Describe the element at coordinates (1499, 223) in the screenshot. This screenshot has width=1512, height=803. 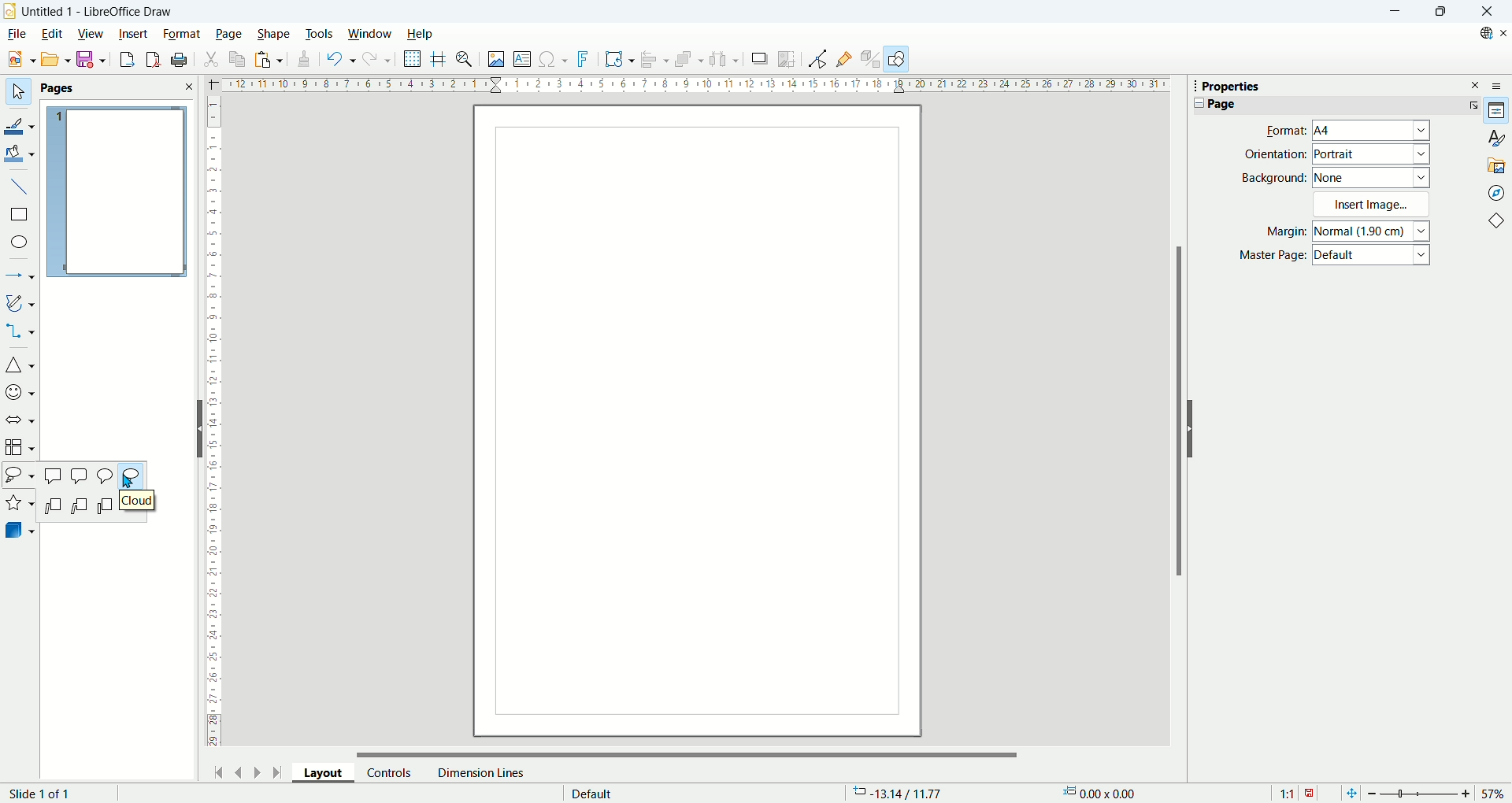
I see `basic shapes` at that location.